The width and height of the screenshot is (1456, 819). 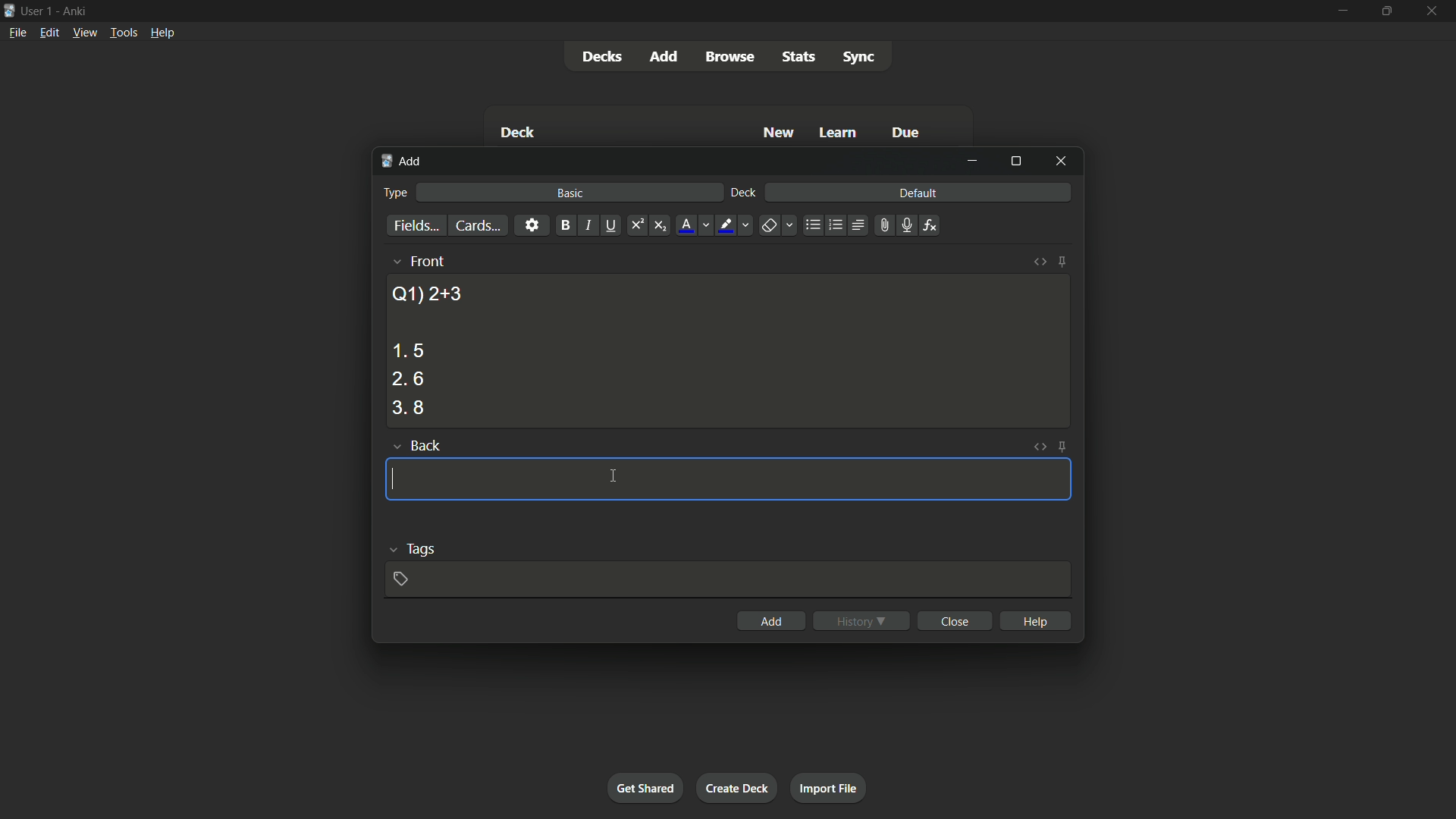 What do you see at coordinates (477, 226) in the screenshot?
I see `cards` at bounding box center [477, 226].